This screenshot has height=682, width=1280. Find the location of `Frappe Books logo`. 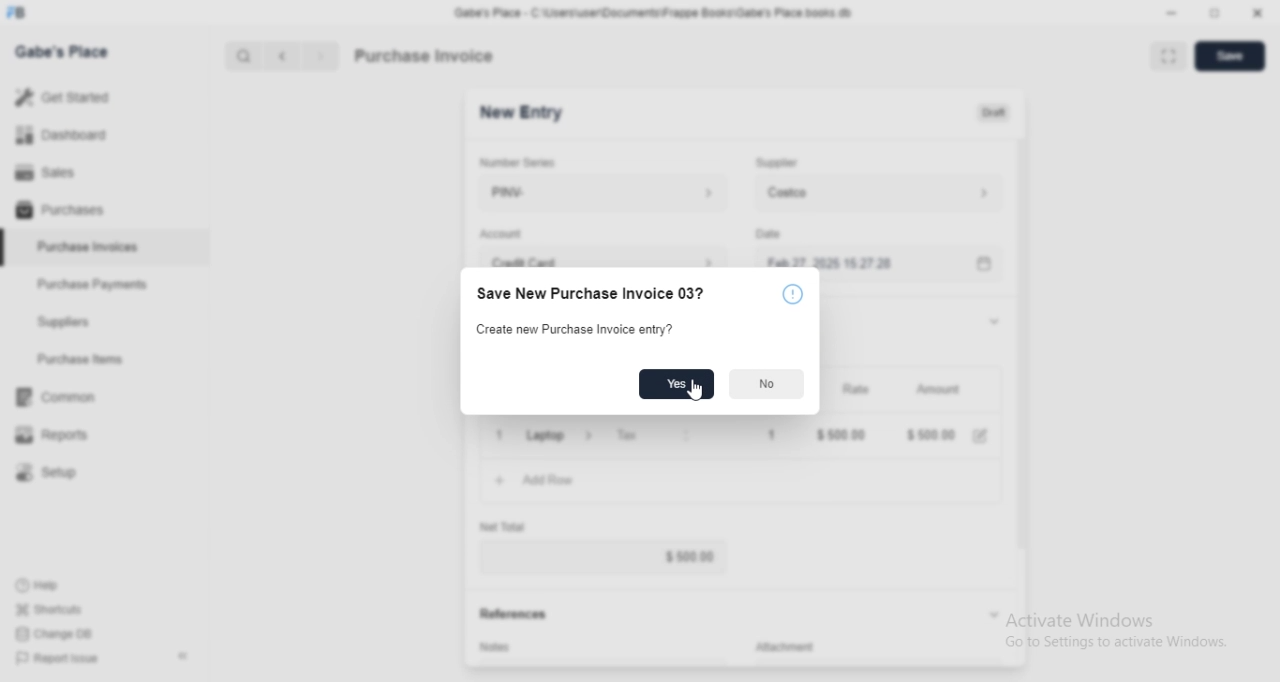

Frappe Books logo is located at coordinates (15, 12).